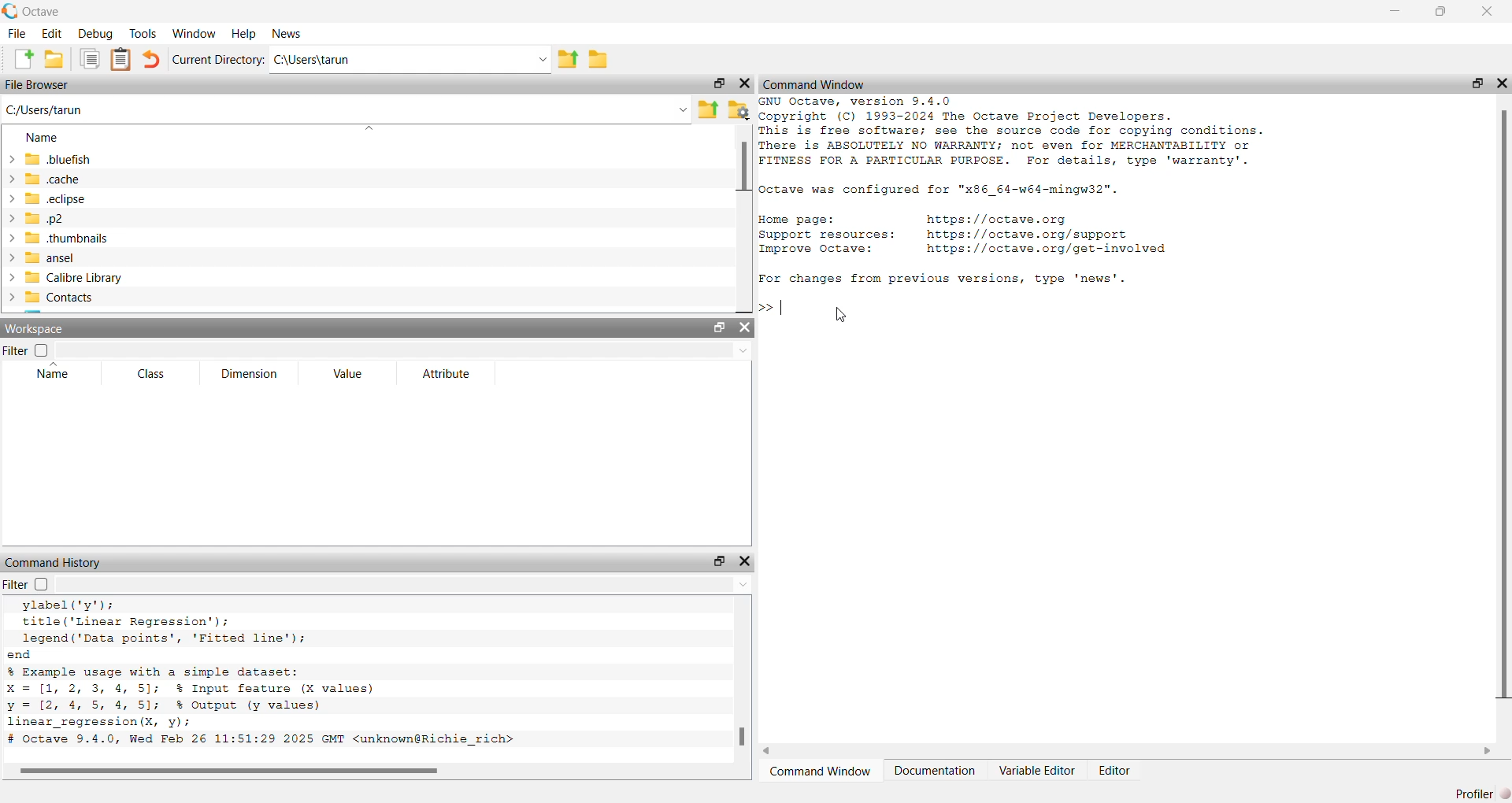  What do you see at coordinates (18, 58) in the screenshot?
I see `new script` at bounding box center [18, 58].